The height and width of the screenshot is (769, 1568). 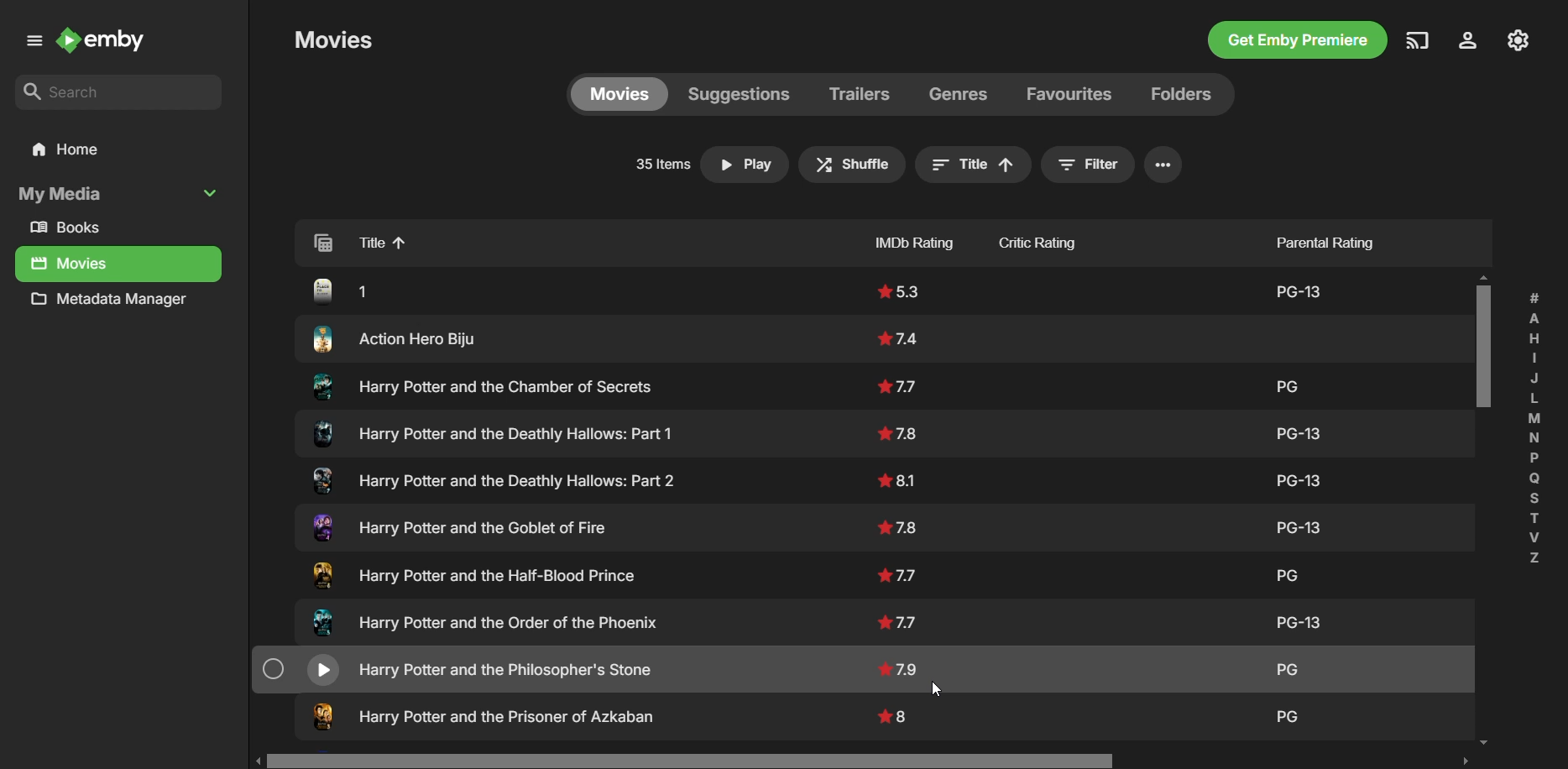 What do you see at coordinates (979, 165) in the screenshot?
I see `Current Movies Sort order` at bounding box center [979, 165].